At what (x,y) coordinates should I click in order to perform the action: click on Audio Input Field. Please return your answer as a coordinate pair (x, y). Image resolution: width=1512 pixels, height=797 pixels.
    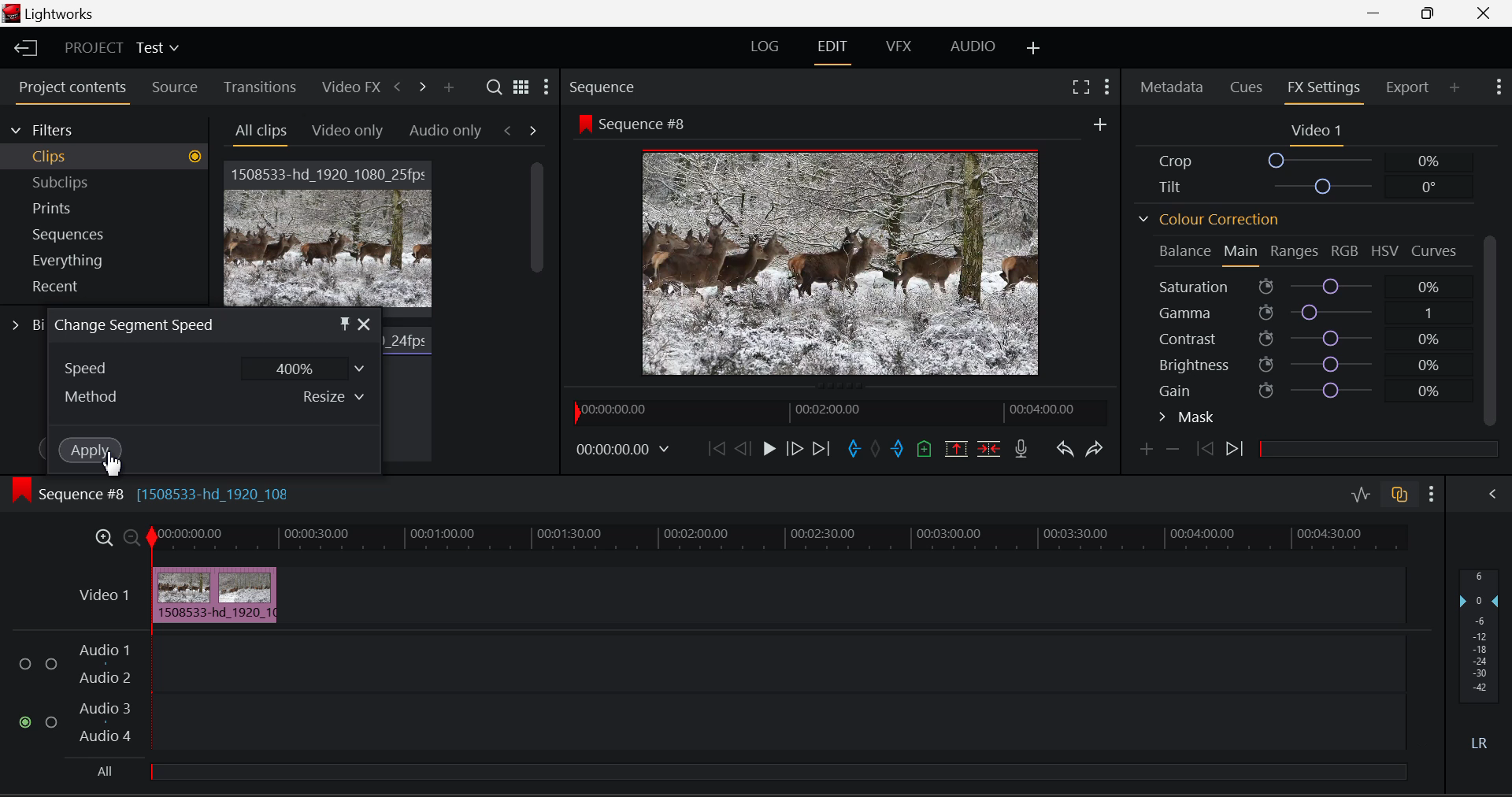
    Looking at the image, I should click on (776, 662).